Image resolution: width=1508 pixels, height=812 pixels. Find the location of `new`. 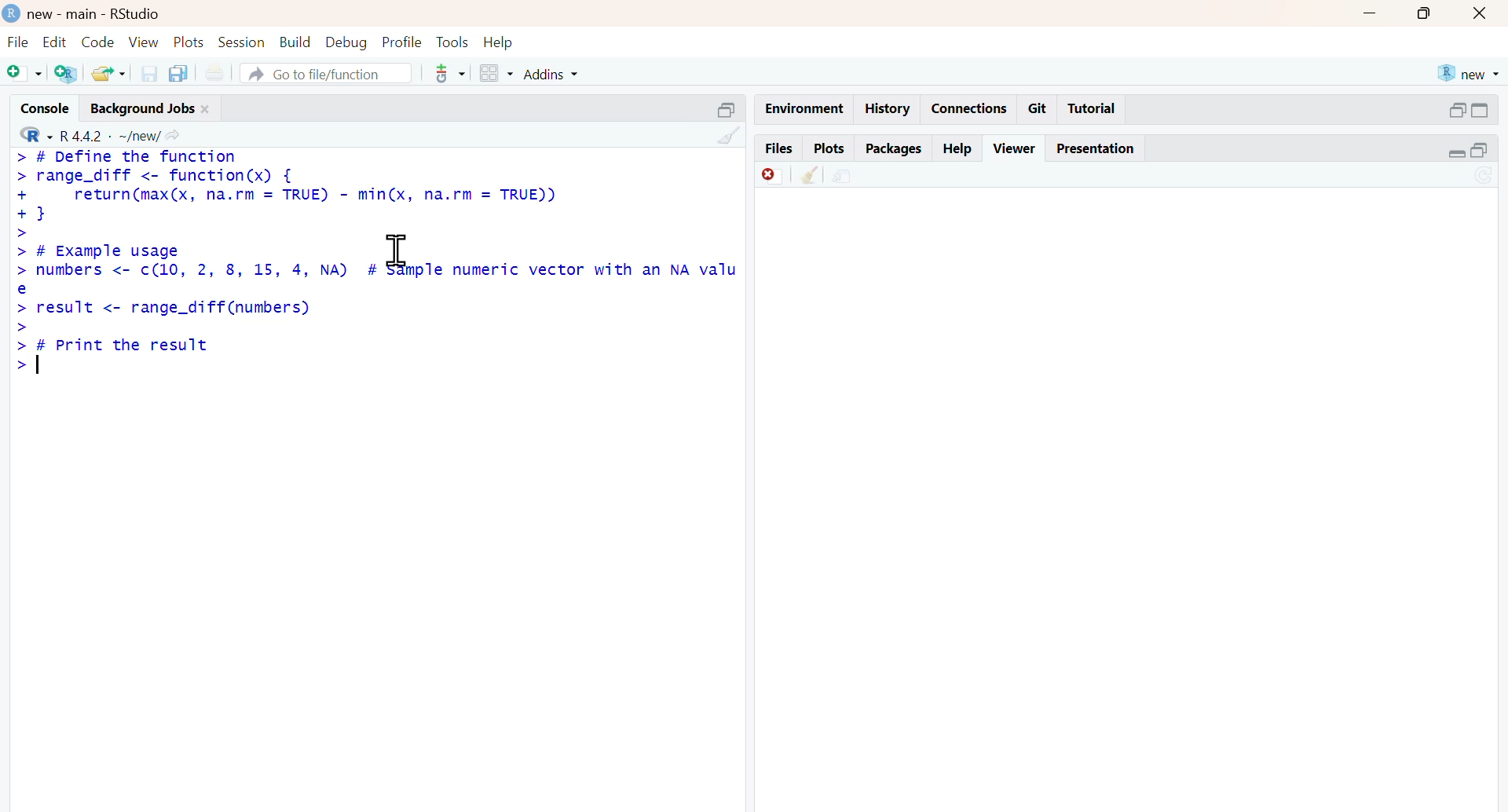

new is located at coordinates (1470, 74).